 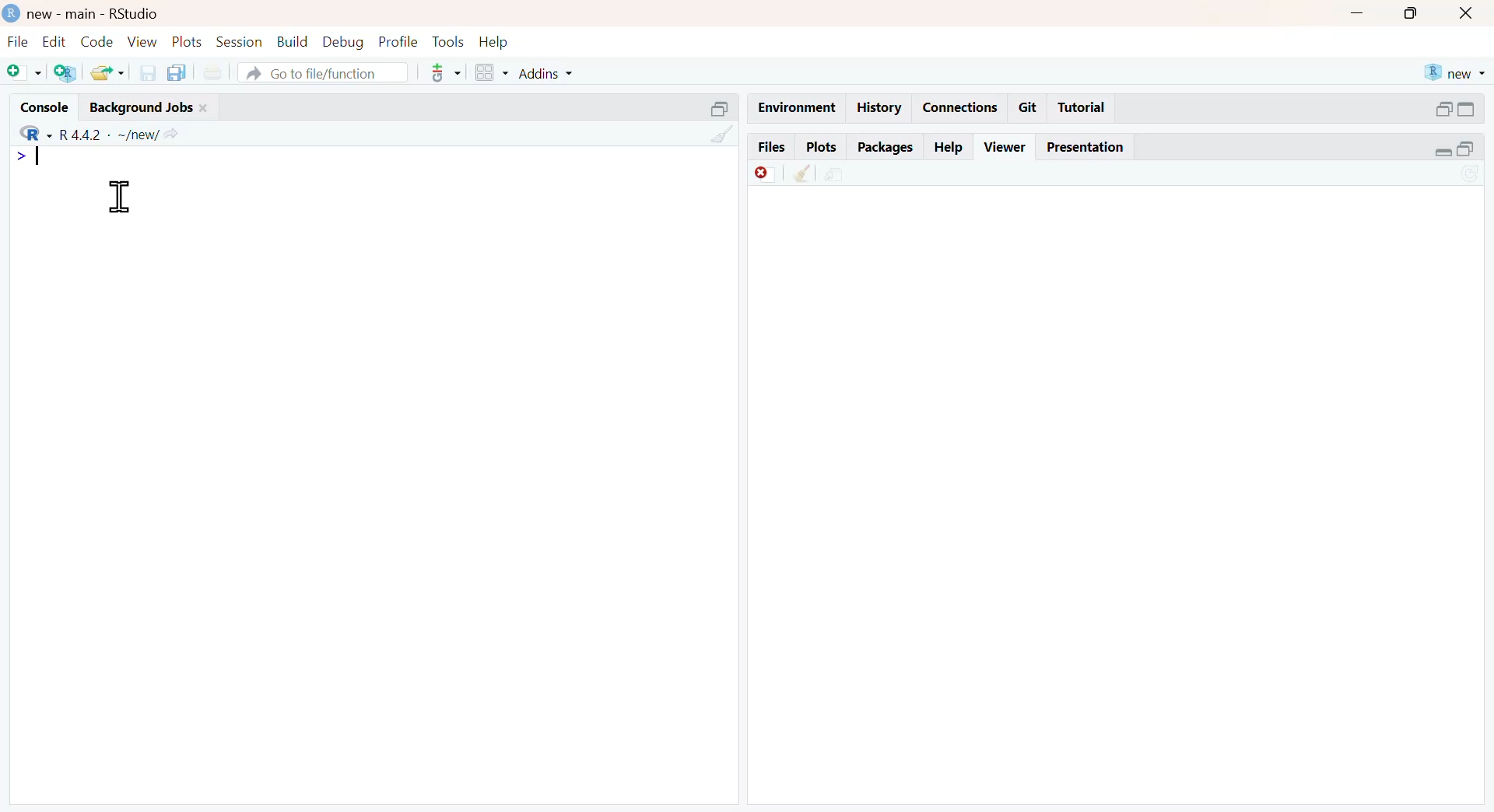 What do you see at coordinates (1456, 74) in the screenshot?
I see `new` at bounding box center [1456, 74].